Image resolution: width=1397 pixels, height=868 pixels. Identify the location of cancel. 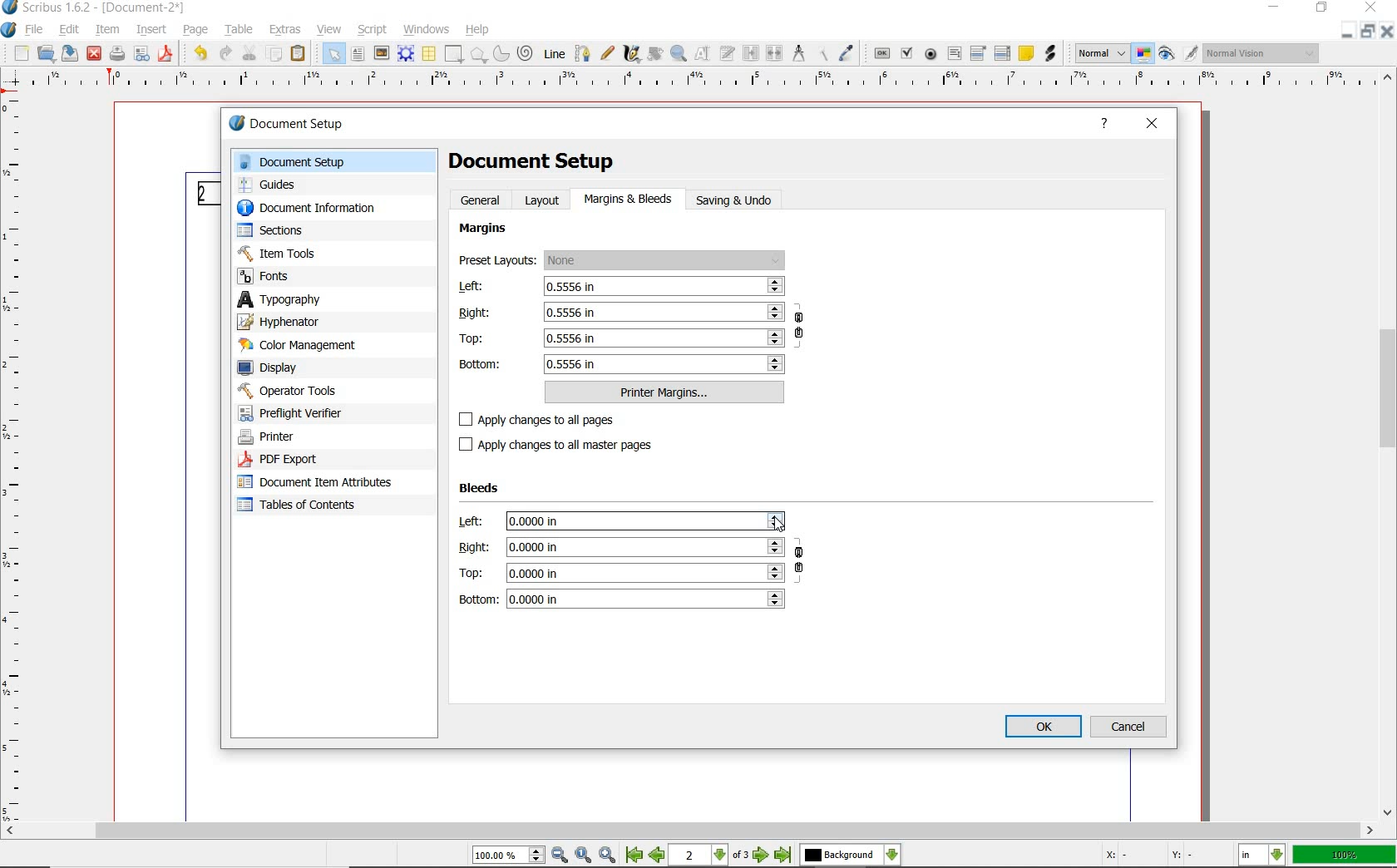
(1131, 726).